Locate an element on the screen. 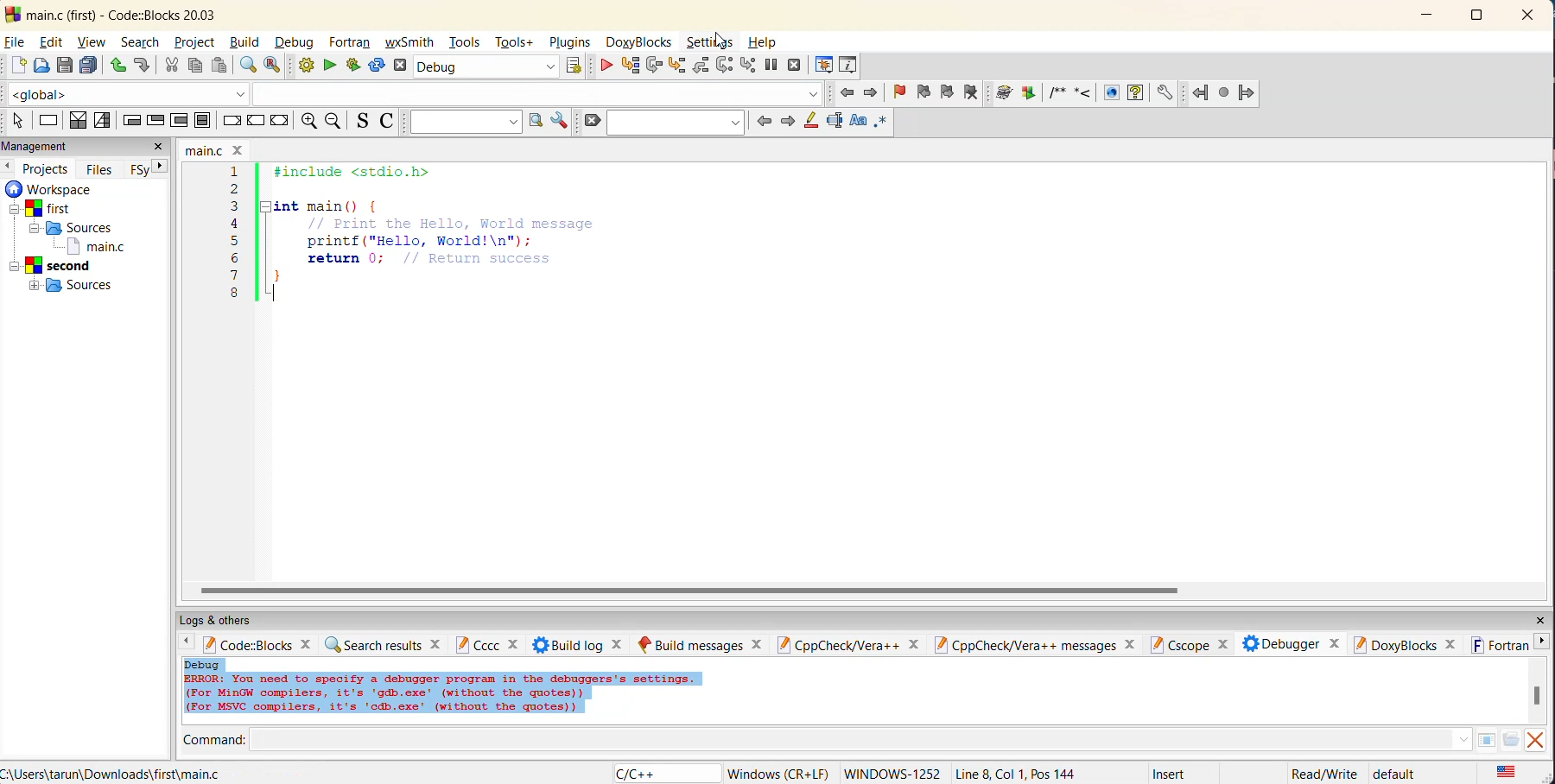 The width and height of the screenshot is (1555, 784). Insert comment block is located at coordinates (1054, 97).